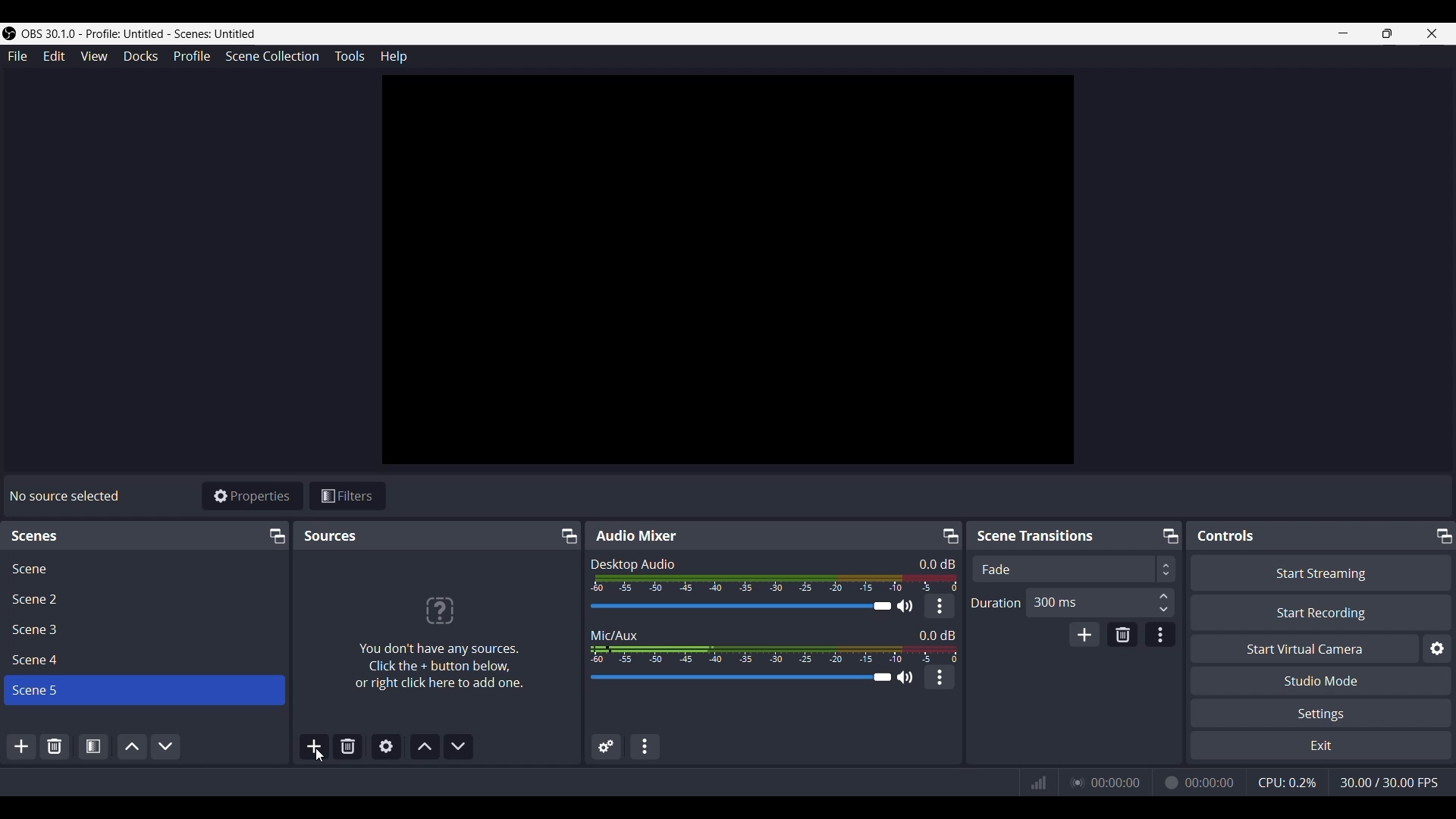 The height and width of the screenshot is (819, 1456). I want to click on Text, so click(636, 535).